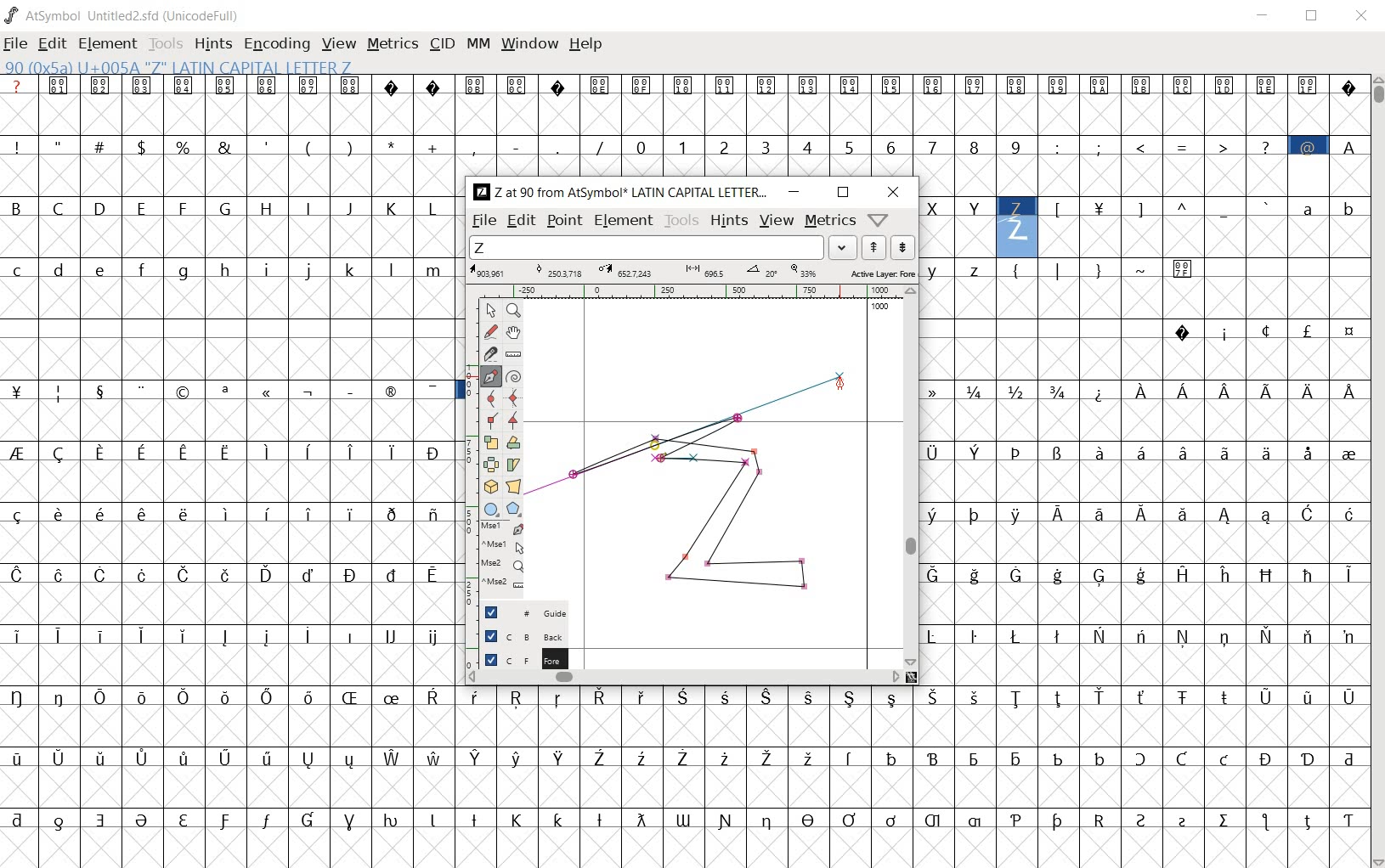  Describe the element at coordinates (879, 220) in the screenshot. I see `help/window` at that location.